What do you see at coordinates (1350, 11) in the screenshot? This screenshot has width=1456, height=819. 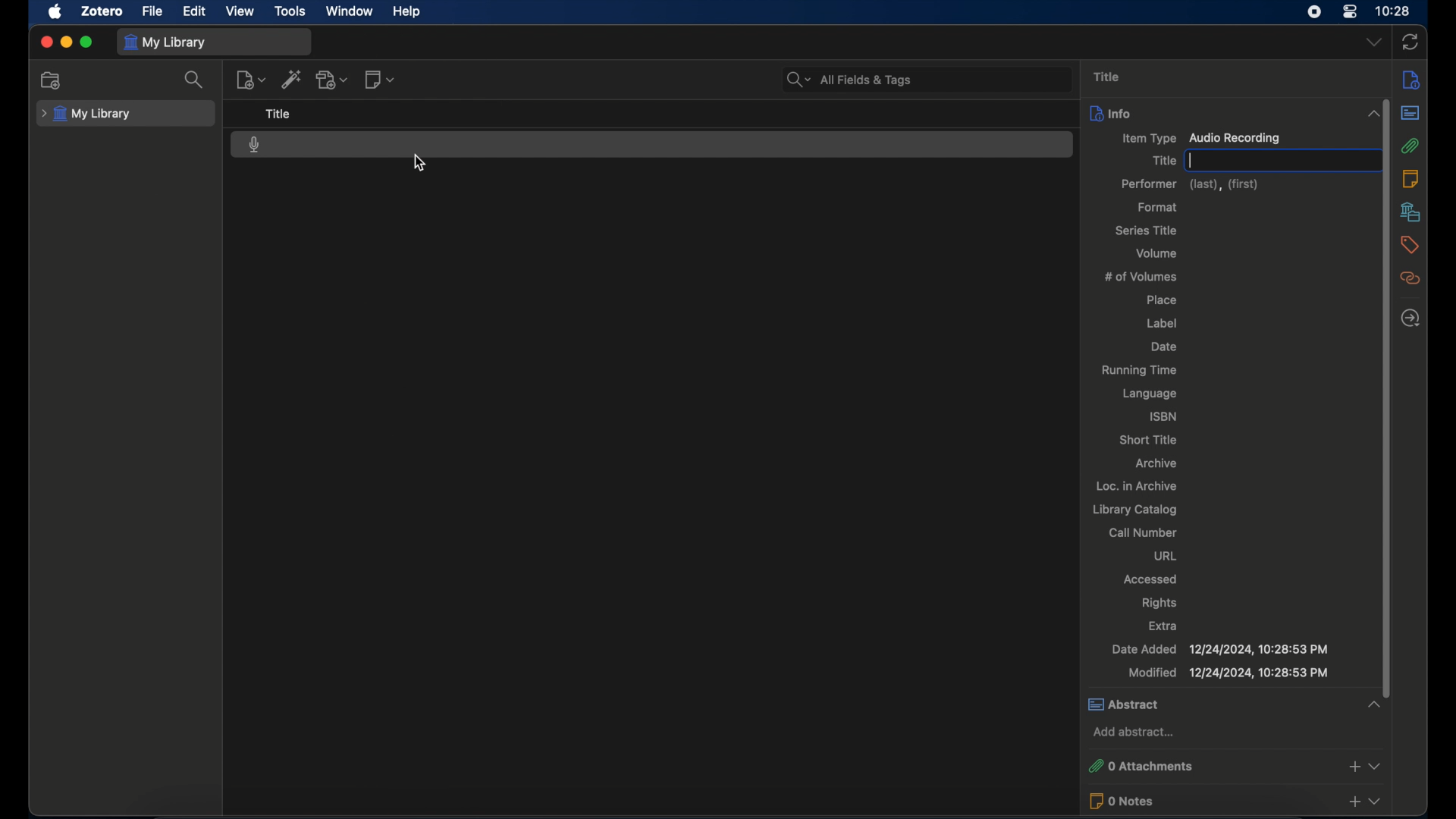 I see `control center` at bounding box center [1350, 11].